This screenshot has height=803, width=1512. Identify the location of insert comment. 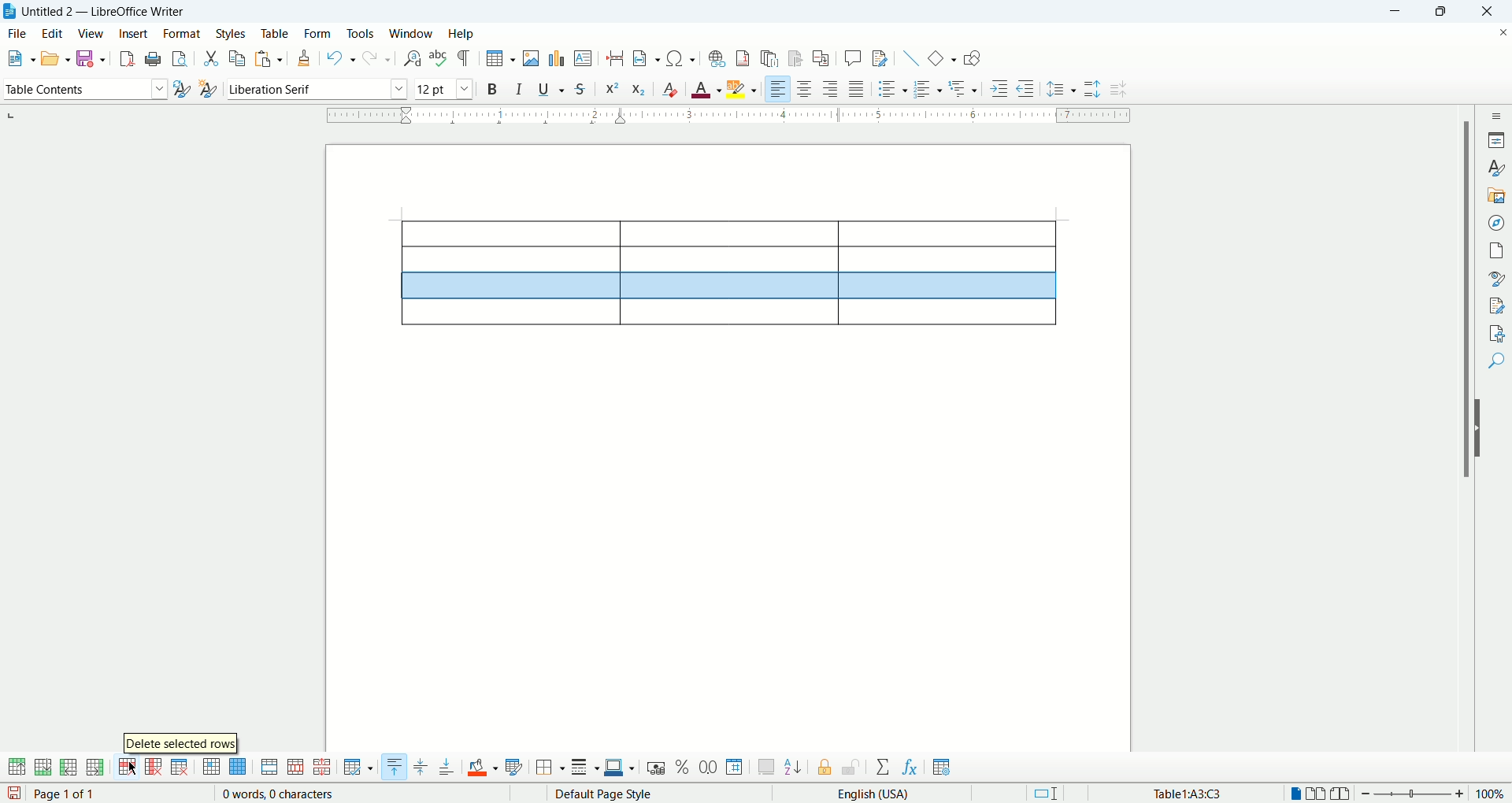
(853, 61).